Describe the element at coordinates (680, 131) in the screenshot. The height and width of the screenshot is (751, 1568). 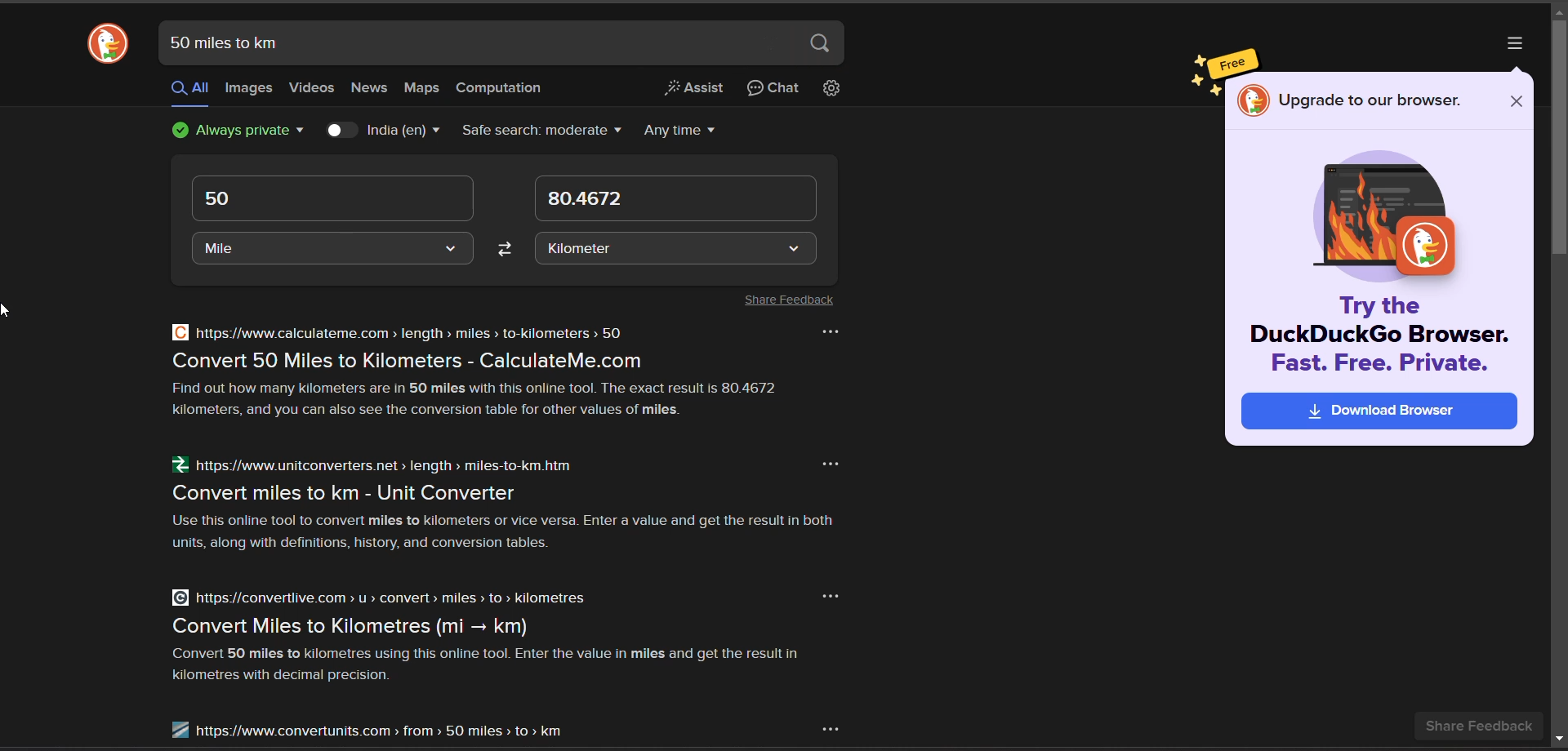
I see `result timeline filter` at that location.